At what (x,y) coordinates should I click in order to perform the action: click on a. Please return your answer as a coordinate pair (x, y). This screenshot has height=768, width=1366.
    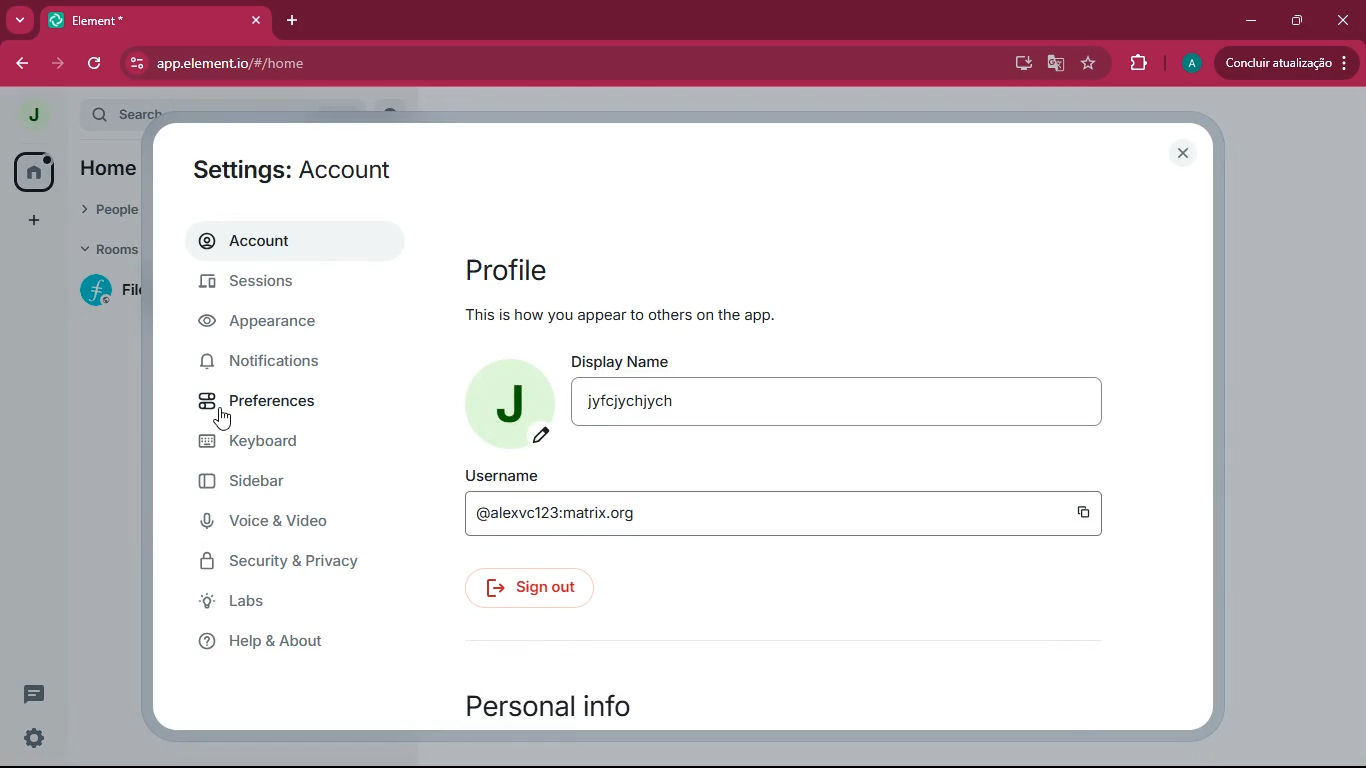
    Looking at the image, I should click on (1192, 64).